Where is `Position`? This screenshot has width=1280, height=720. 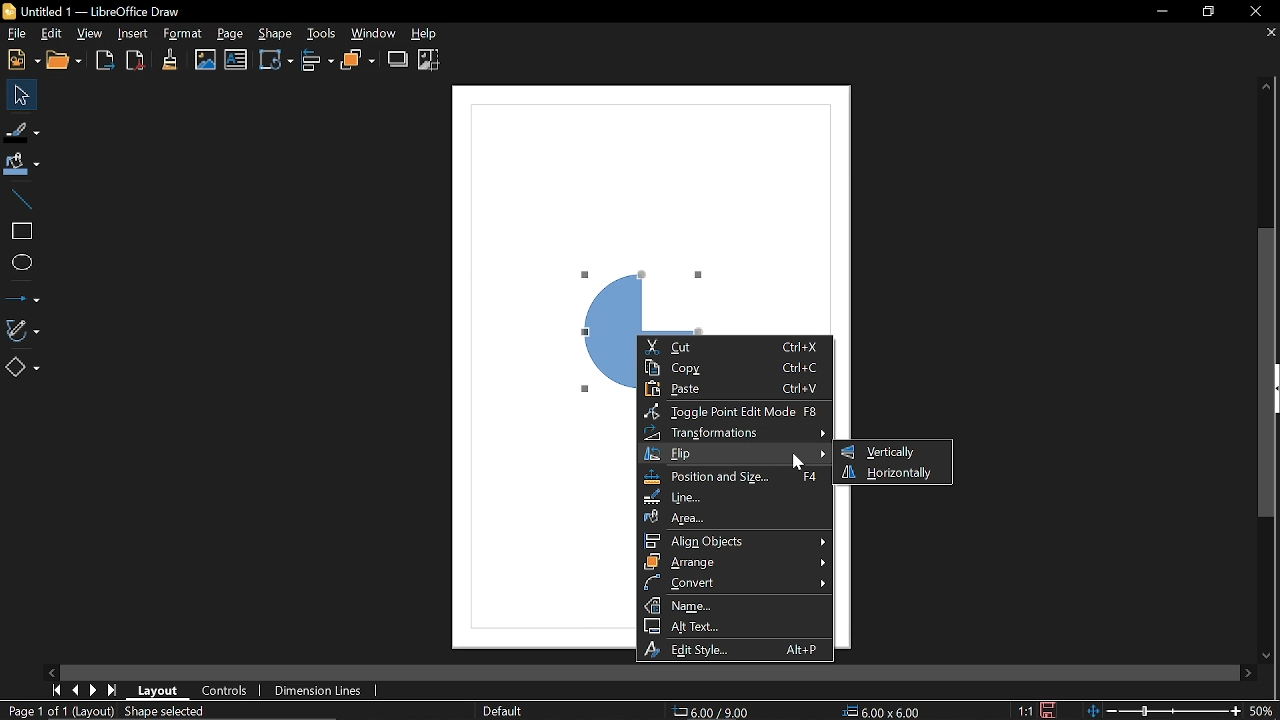
Position is located at coordinates (712, 712).